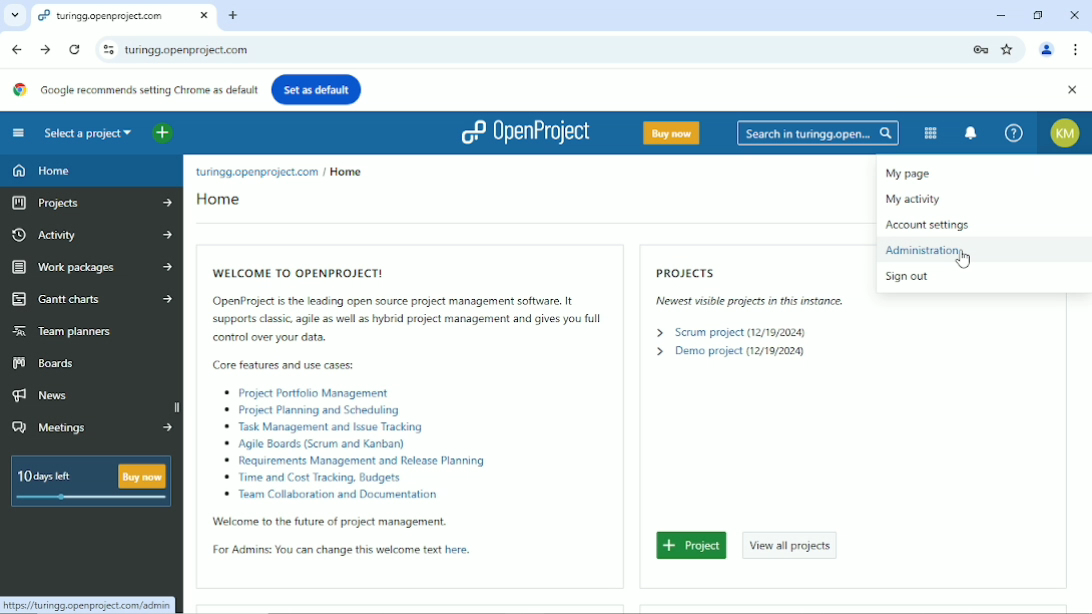  I want to click on Modules, so click(929, 132).